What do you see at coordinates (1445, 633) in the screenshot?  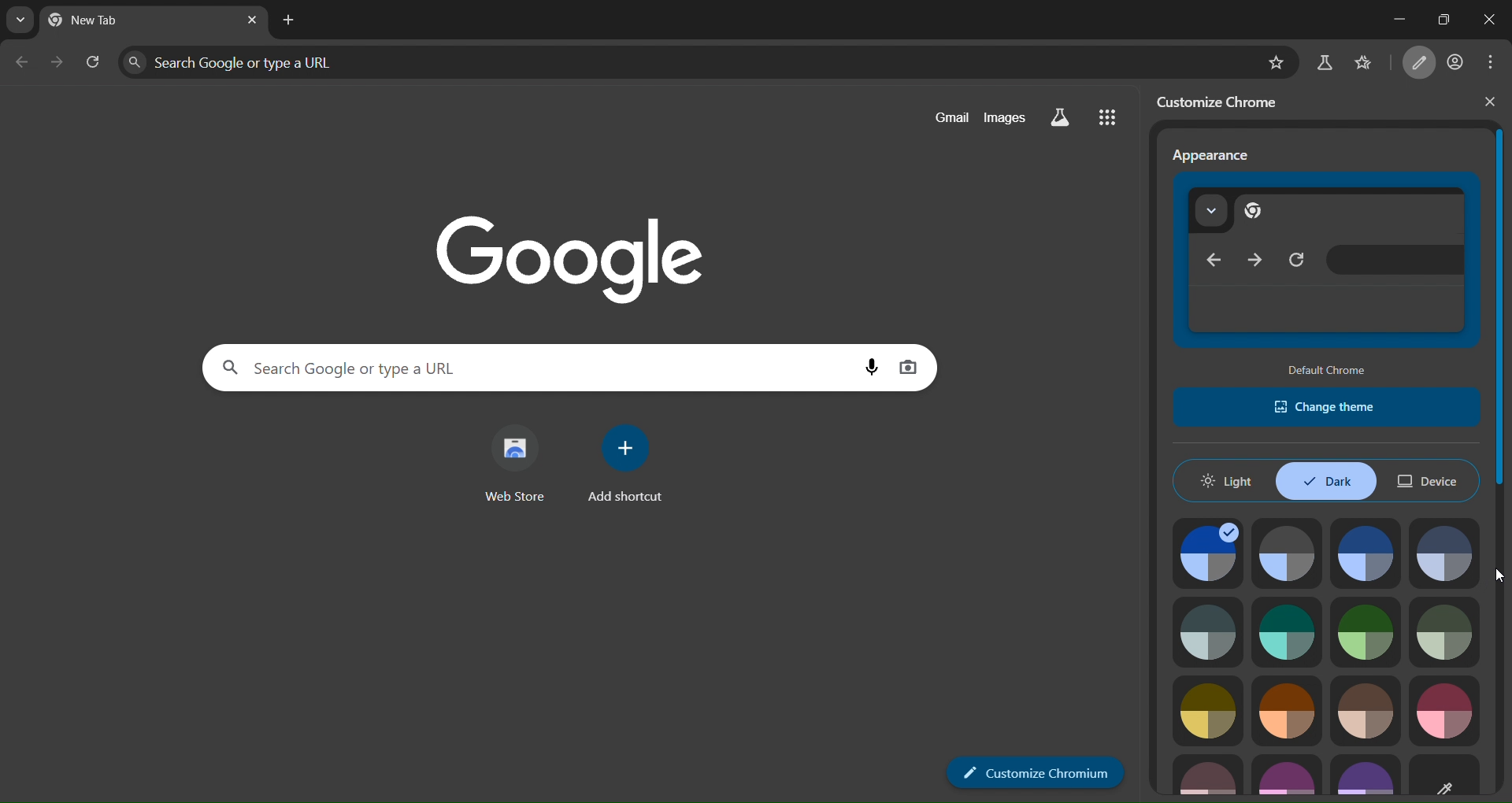 I see `image` at bounding box center [1445, 633].